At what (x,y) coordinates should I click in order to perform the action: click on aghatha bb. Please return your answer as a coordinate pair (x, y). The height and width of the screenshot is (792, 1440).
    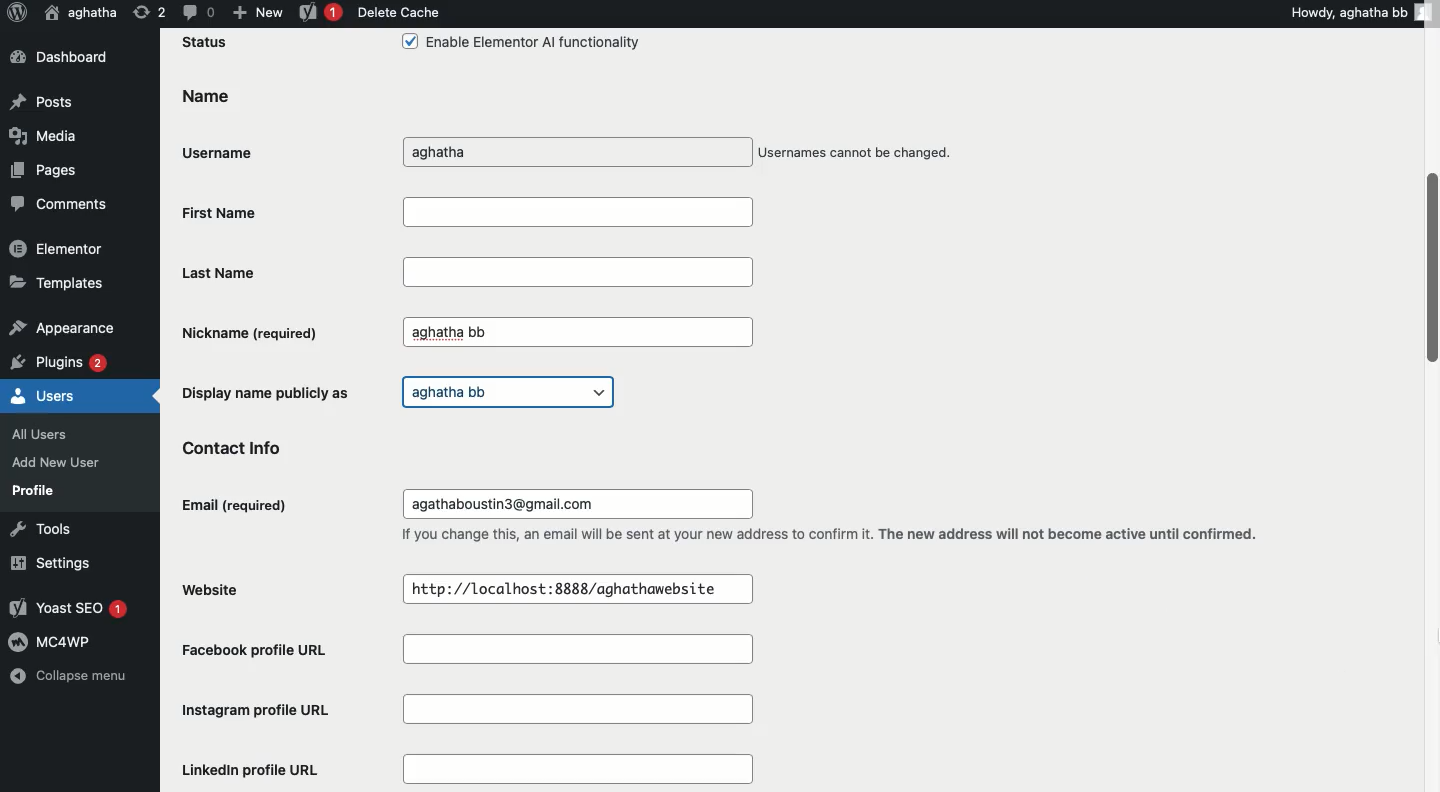
    Looking at the image, I should click on (512, 392).